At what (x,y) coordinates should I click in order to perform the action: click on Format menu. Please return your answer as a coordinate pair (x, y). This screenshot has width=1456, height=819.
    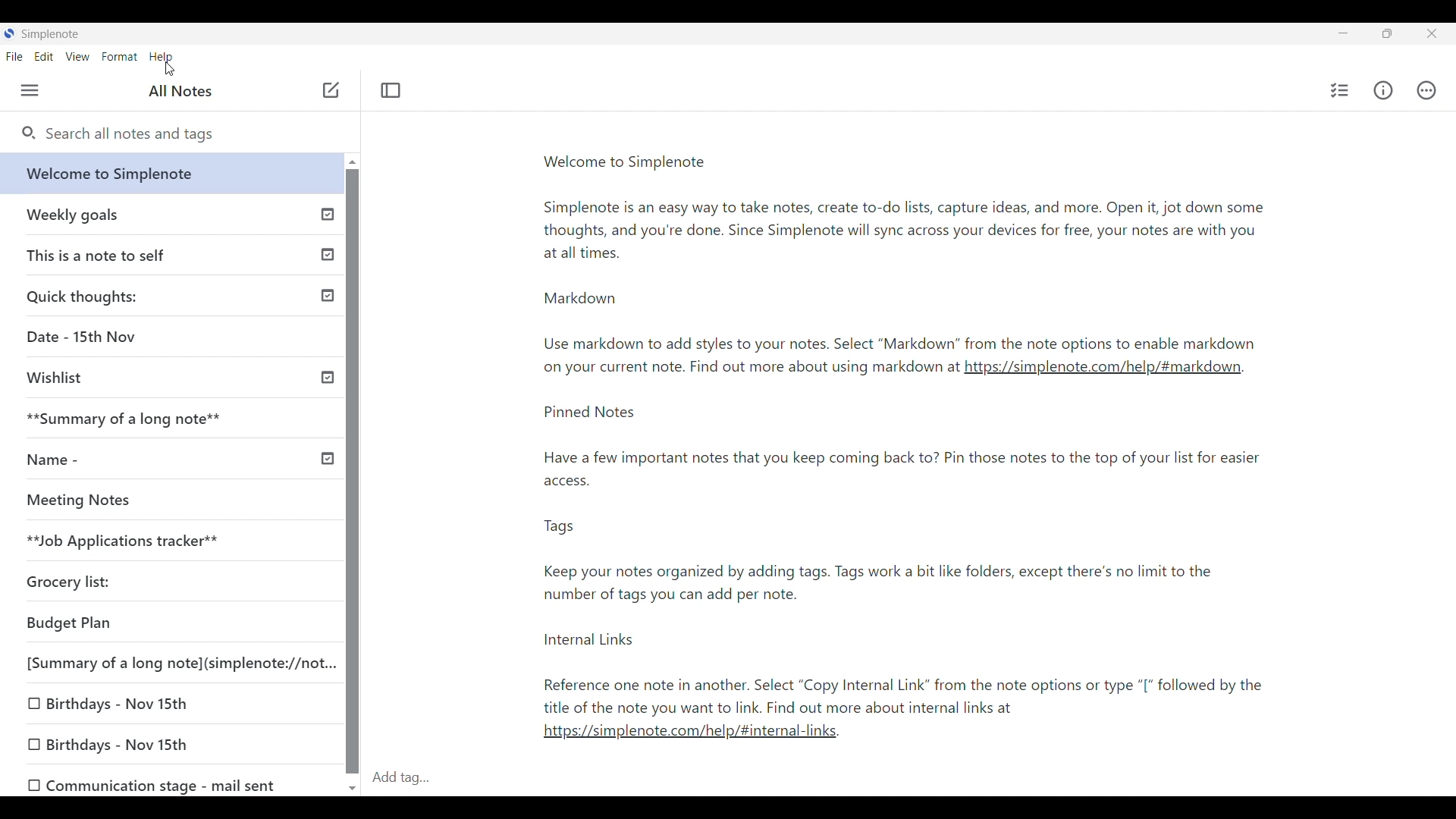
    Looking at the image, I should click on (121, 57).